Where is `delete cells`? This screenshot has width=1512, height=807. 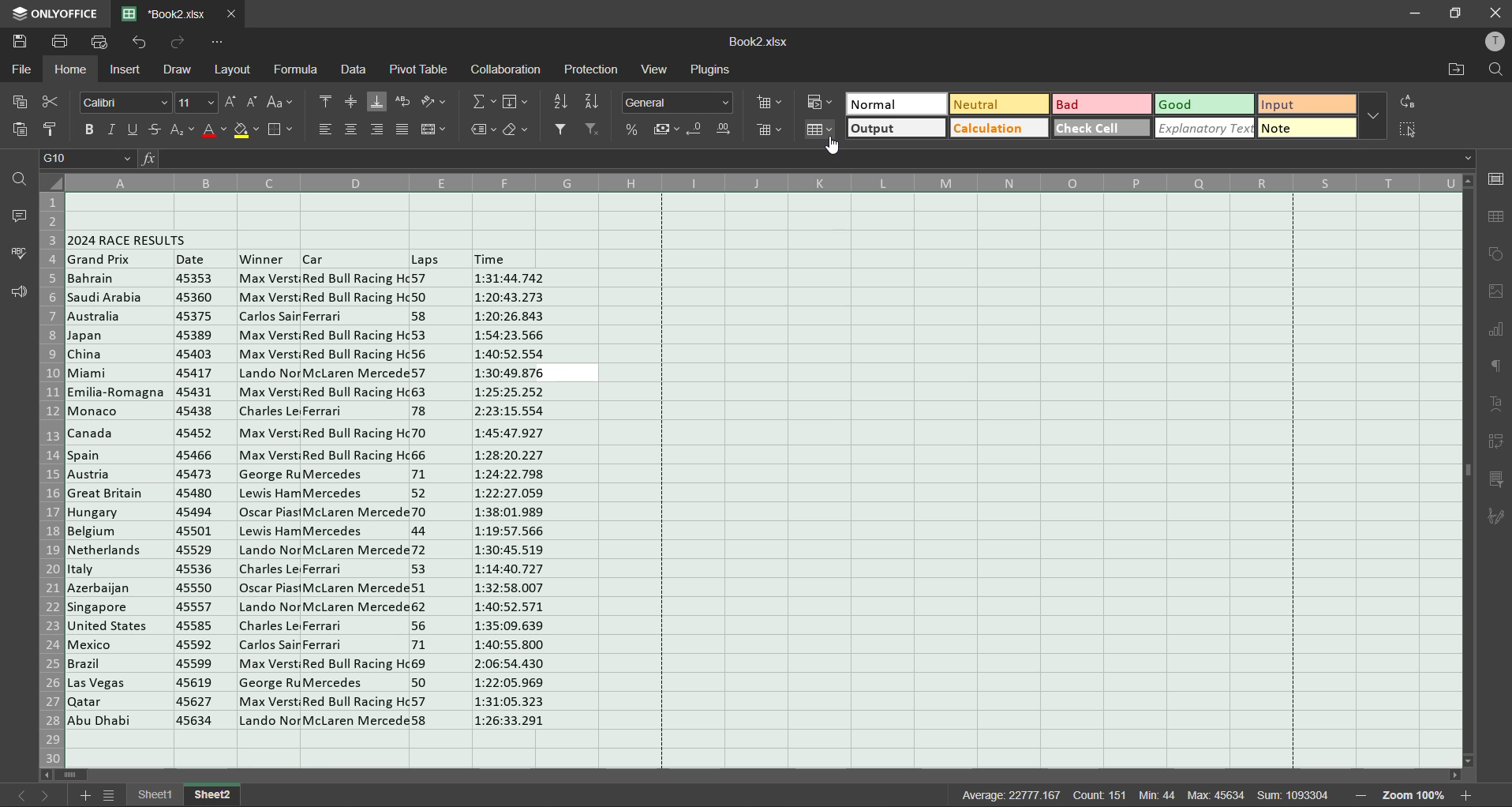
delete cells is located at coordinates (770, 130).